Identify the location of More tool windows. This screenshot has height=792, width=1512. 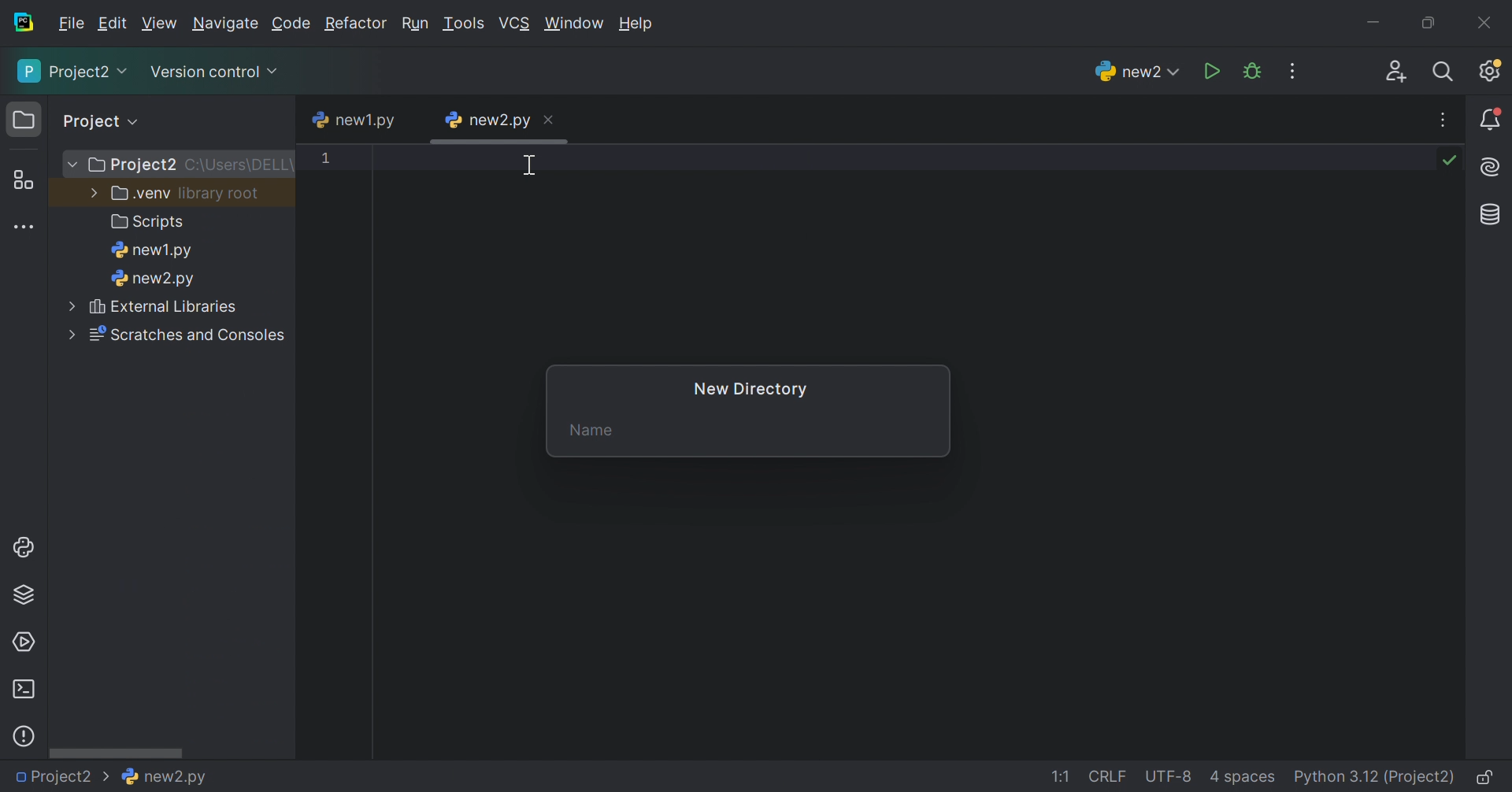
(24, 228).